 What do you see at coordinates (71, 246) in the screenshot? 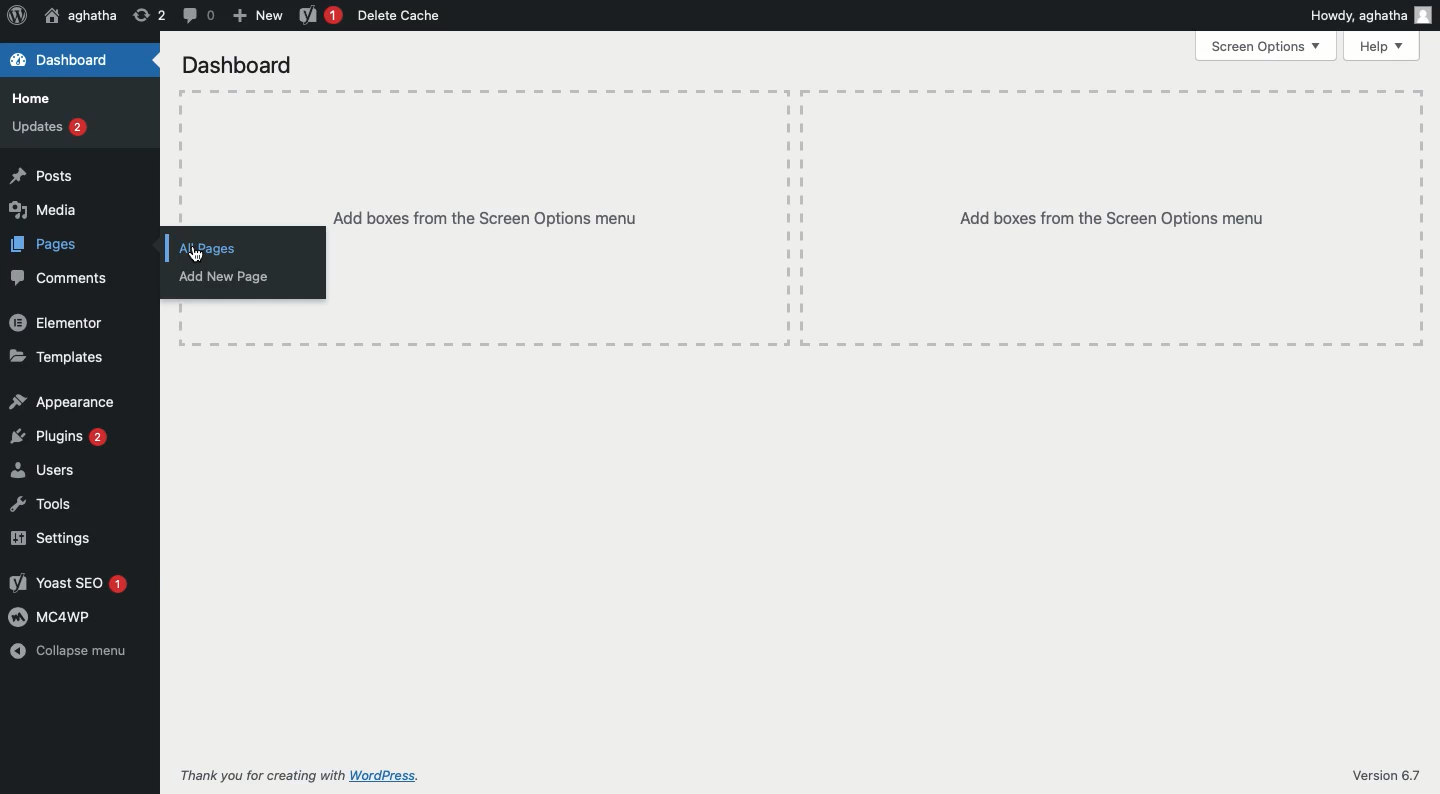
I see `Pages` at bounding box center [71, 246].